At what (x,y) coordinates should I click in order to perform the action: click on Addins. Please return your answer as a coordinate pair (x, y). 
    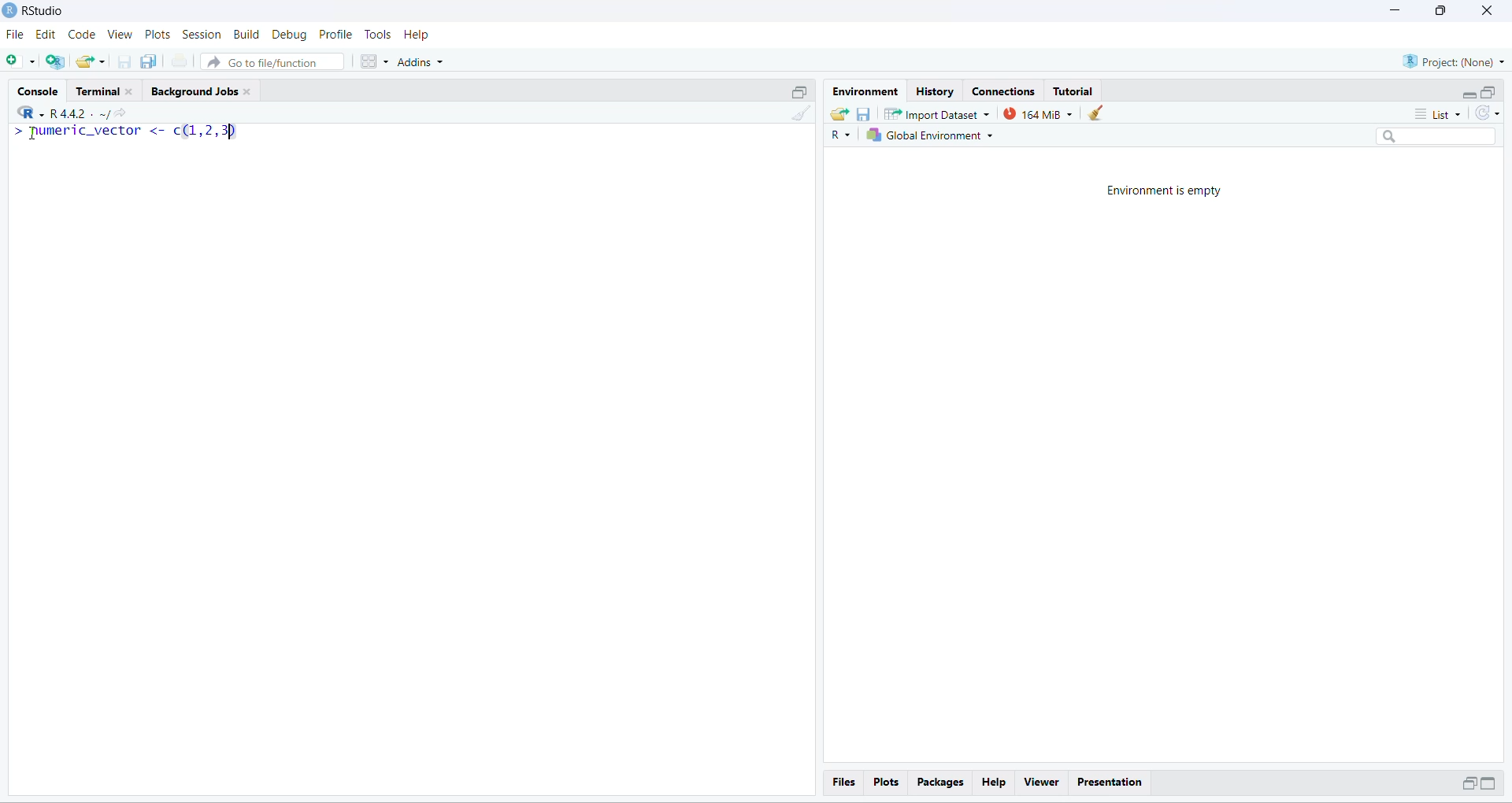
    Looking at the image, I should click on (421, 62).